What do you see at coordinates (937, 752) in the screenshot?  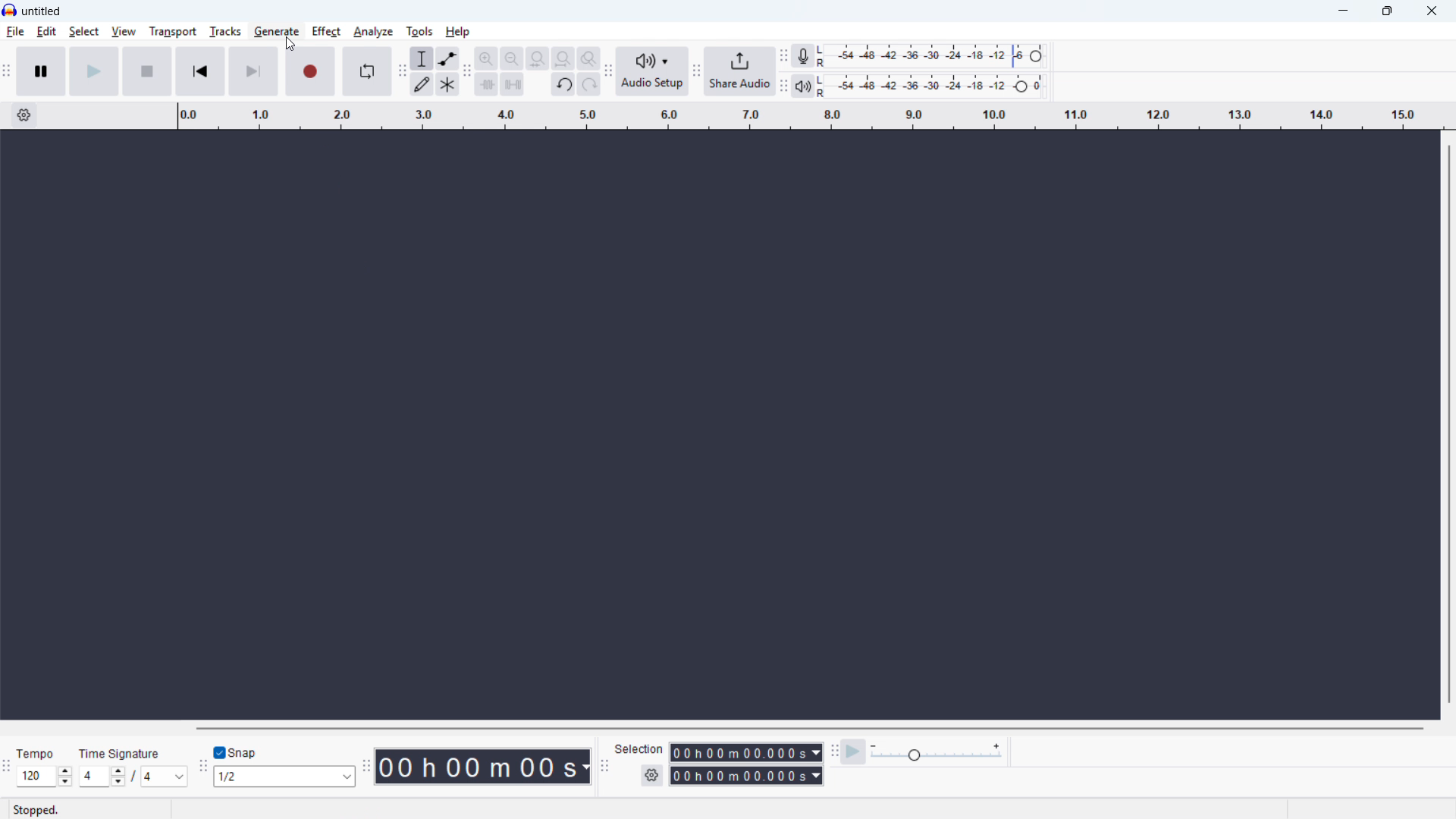 I see `Playback speed ` at bounding box center [937, 752].